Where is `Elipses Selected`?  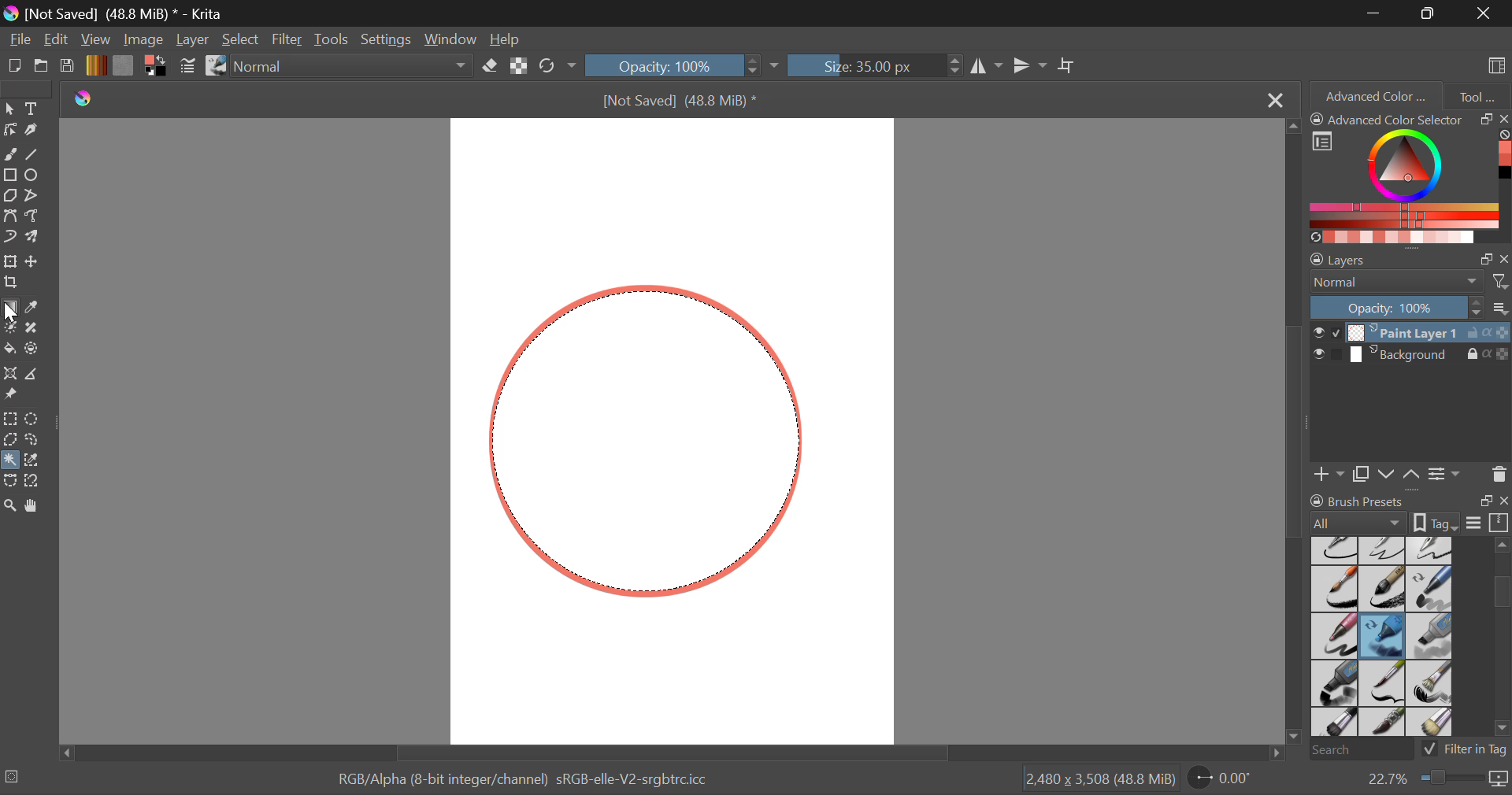 Elipses Selected is located at coordinates (35, 174).